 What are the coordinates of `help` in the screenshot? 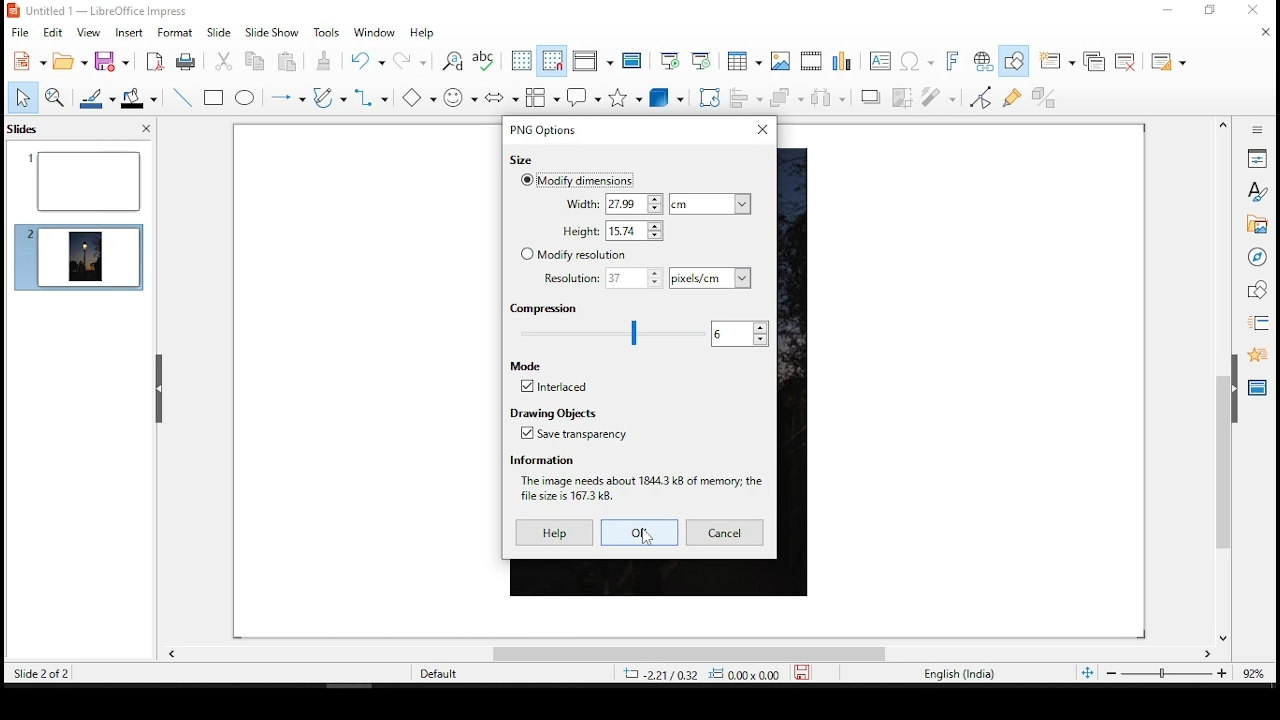 It's located at (425, 34).